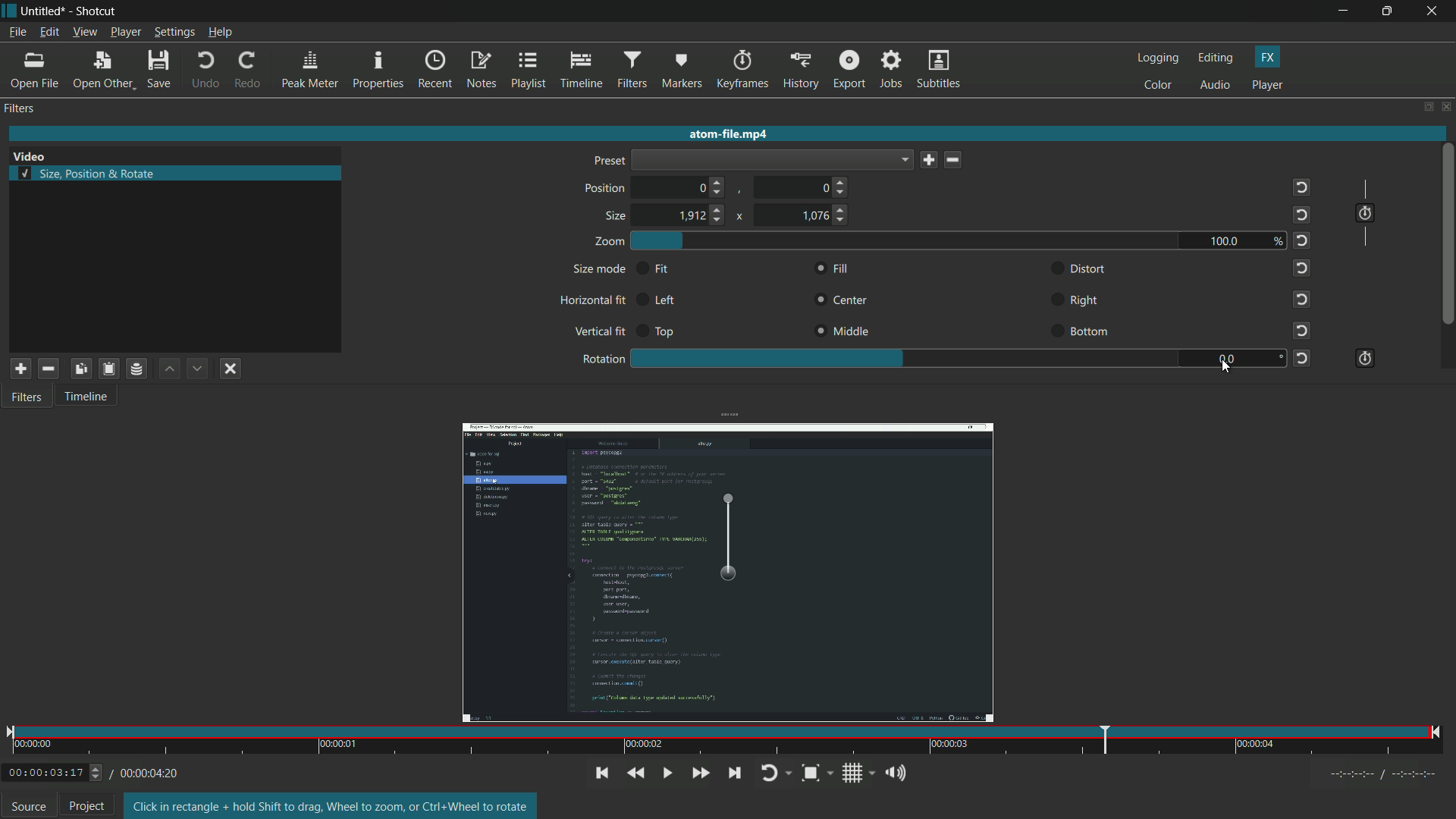  Describe the element at coordinates (1222, 240) in the screenshot. I see `100.0` at that location.